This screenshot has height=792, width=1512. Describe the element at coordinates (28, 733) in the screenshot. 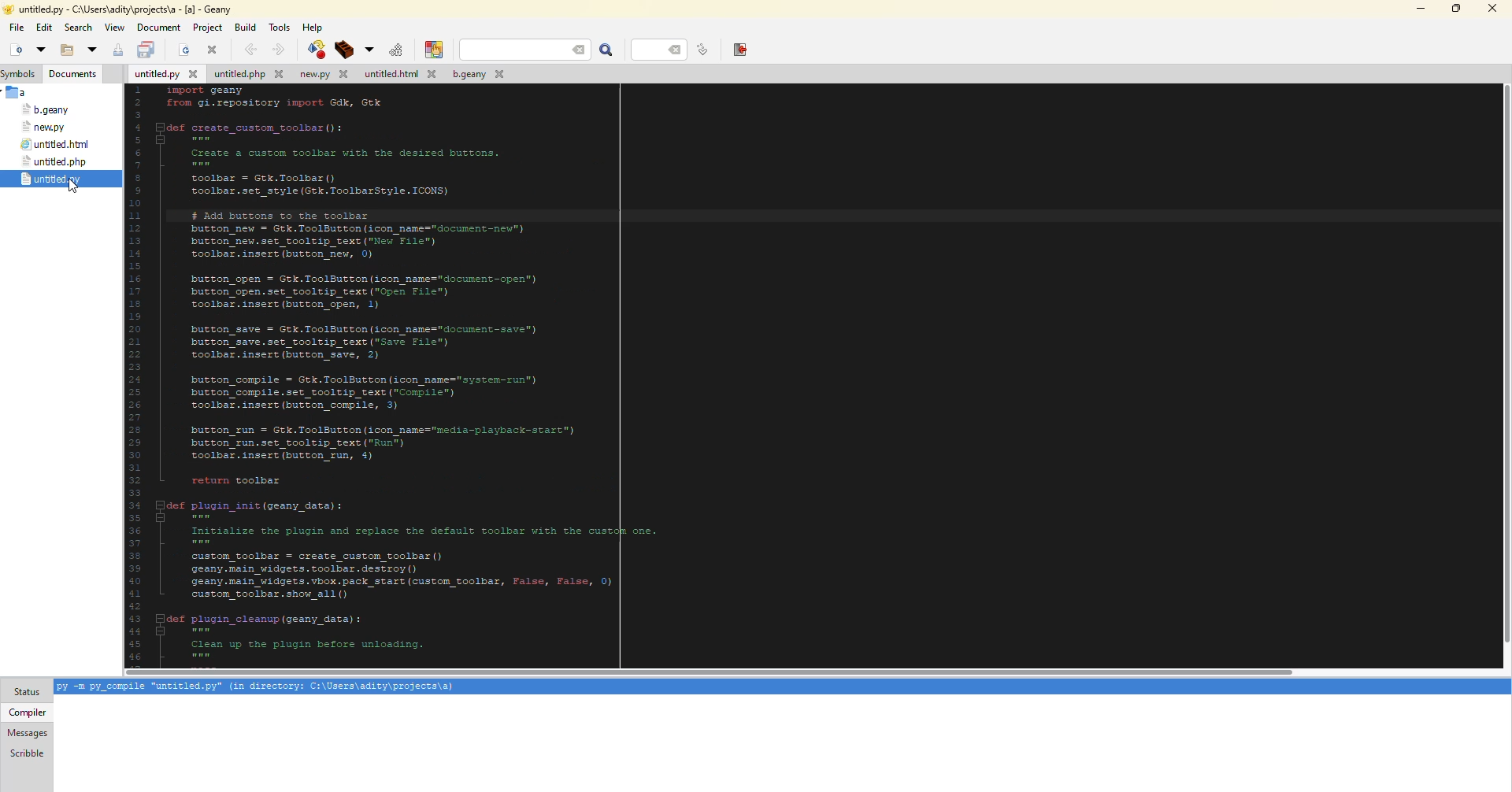

I see `messages` at that location.